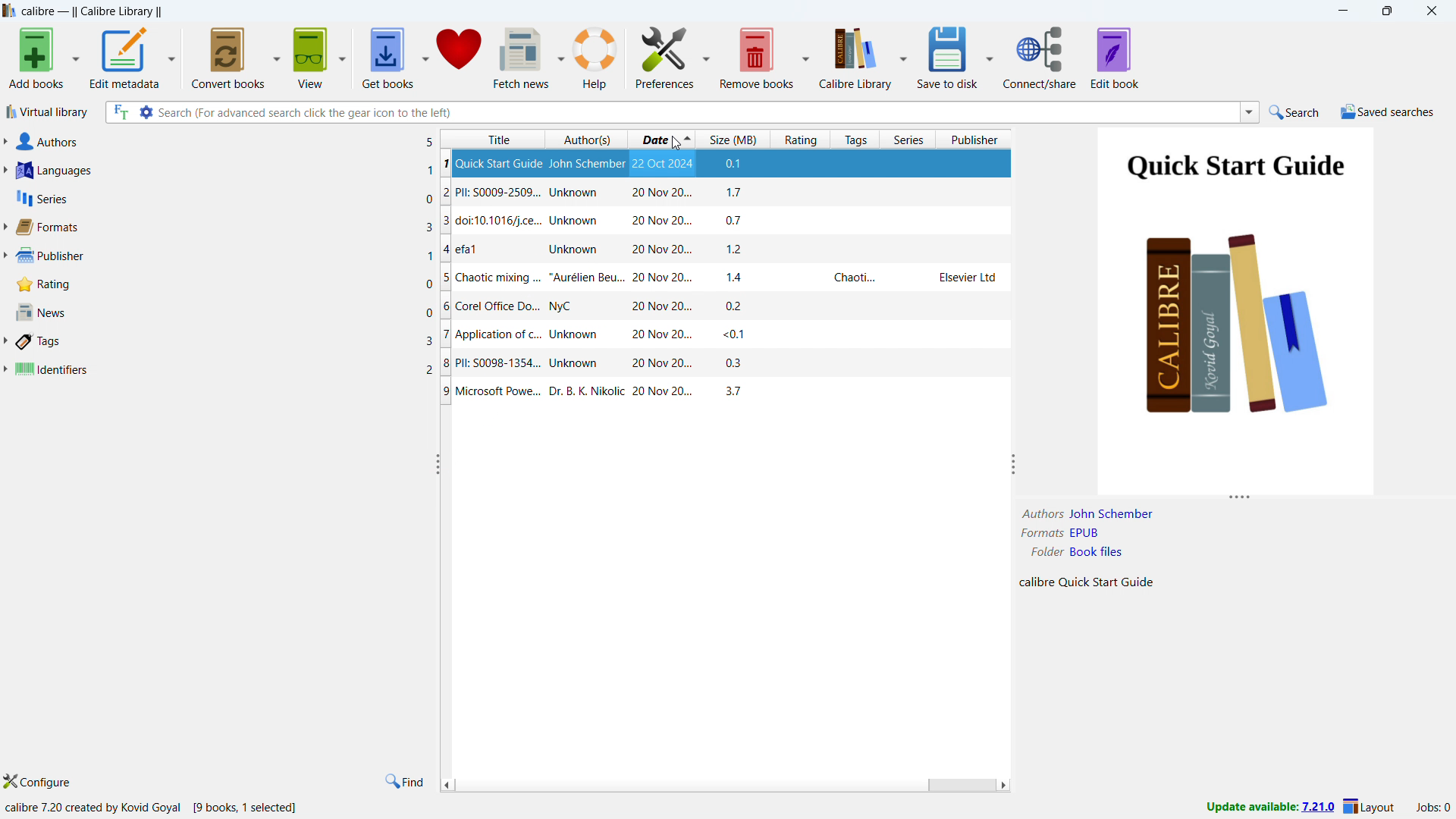 This screenshot has width=1456, height=819. Describe the element at coordinates (572, 221) in the screenshot. I see `Unknown` at that location.